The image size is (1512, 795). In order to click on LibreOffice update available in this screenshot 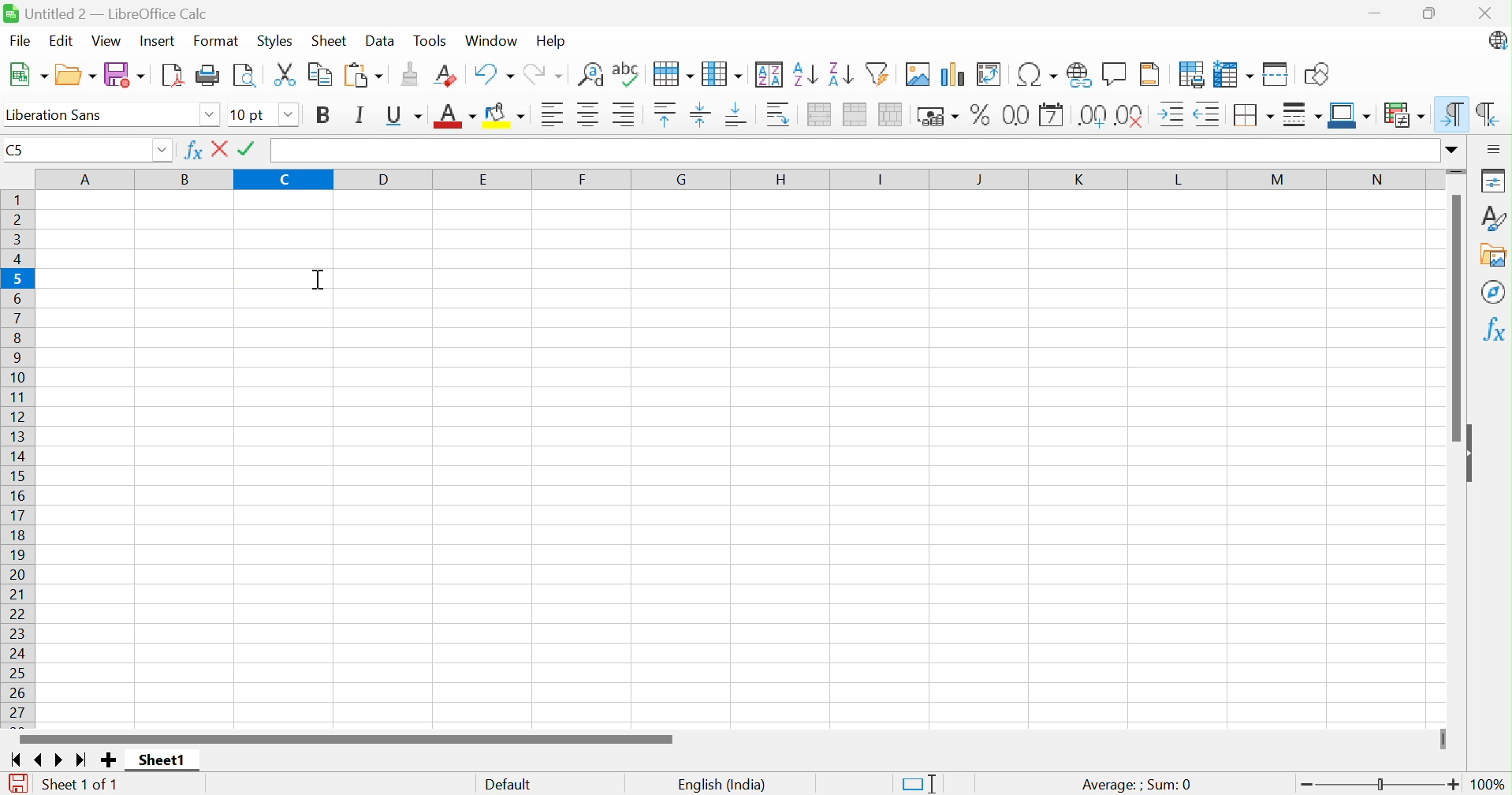, I will do `click(1496, 40)`.